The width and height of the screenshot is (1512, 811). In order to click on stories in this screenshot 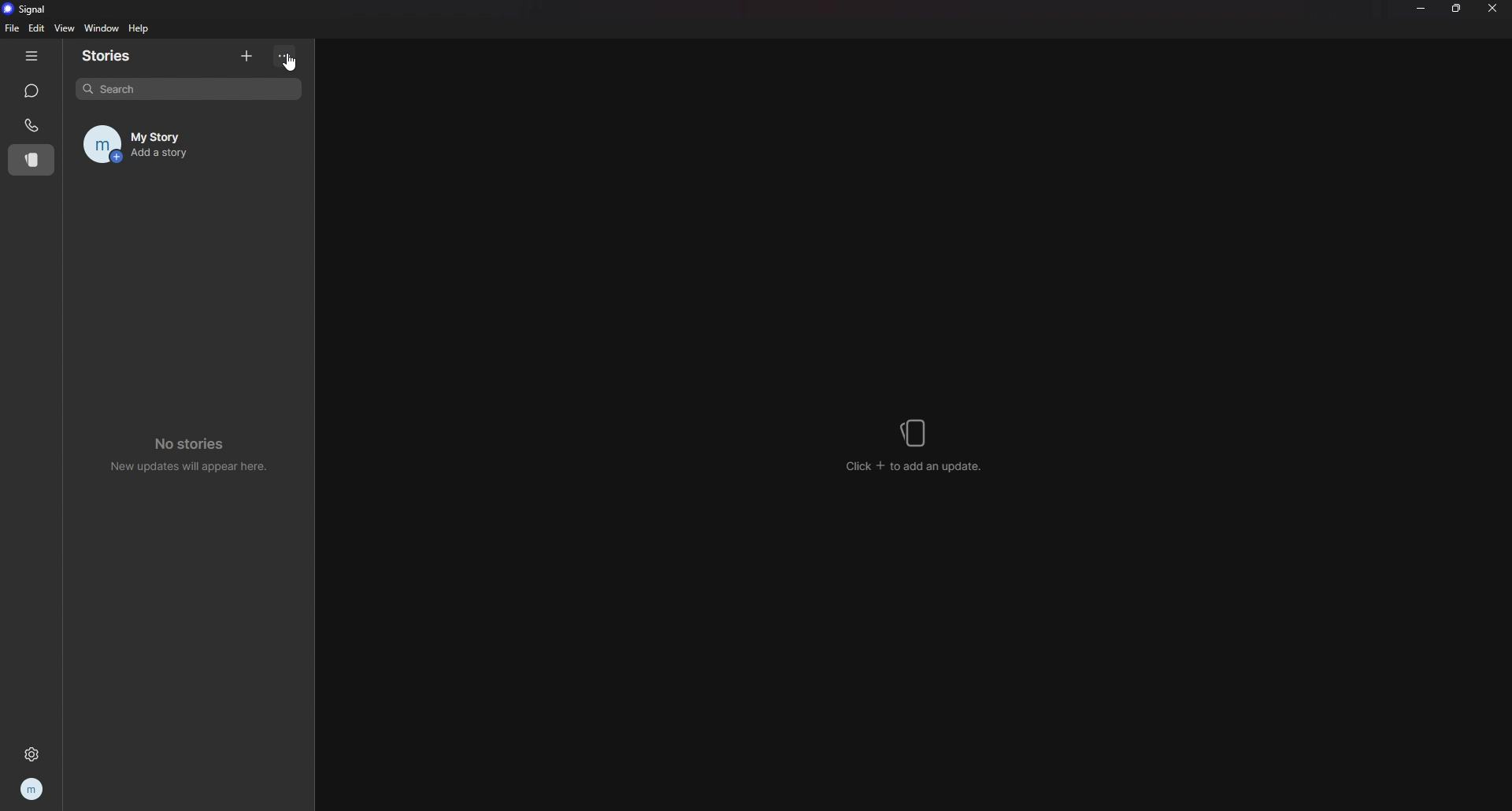, I will do `click(917, 433)`.